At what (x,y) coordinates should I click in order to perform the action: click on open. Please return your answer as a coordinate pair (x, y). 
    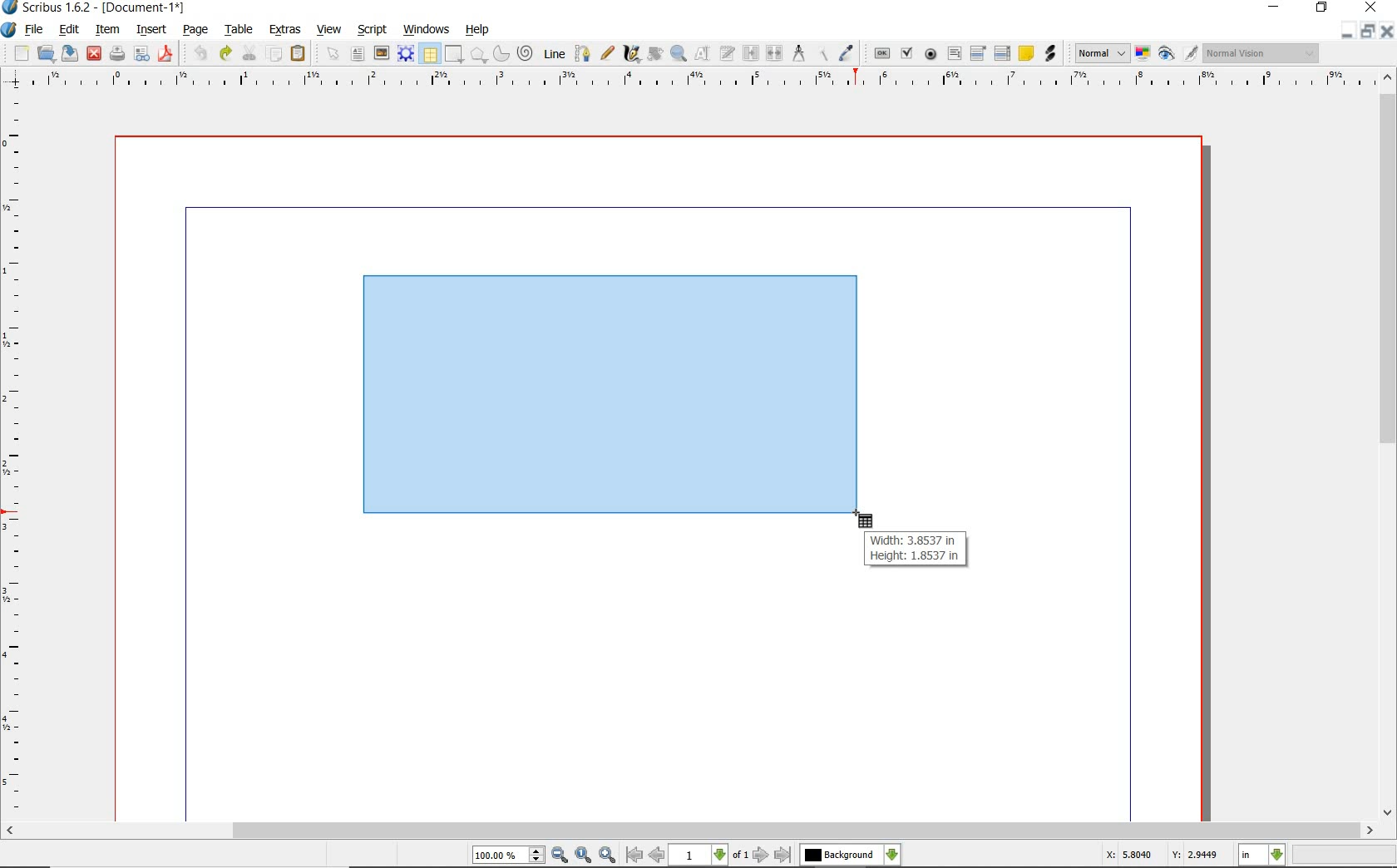
    Looking at the image, I should click on (47, 54).